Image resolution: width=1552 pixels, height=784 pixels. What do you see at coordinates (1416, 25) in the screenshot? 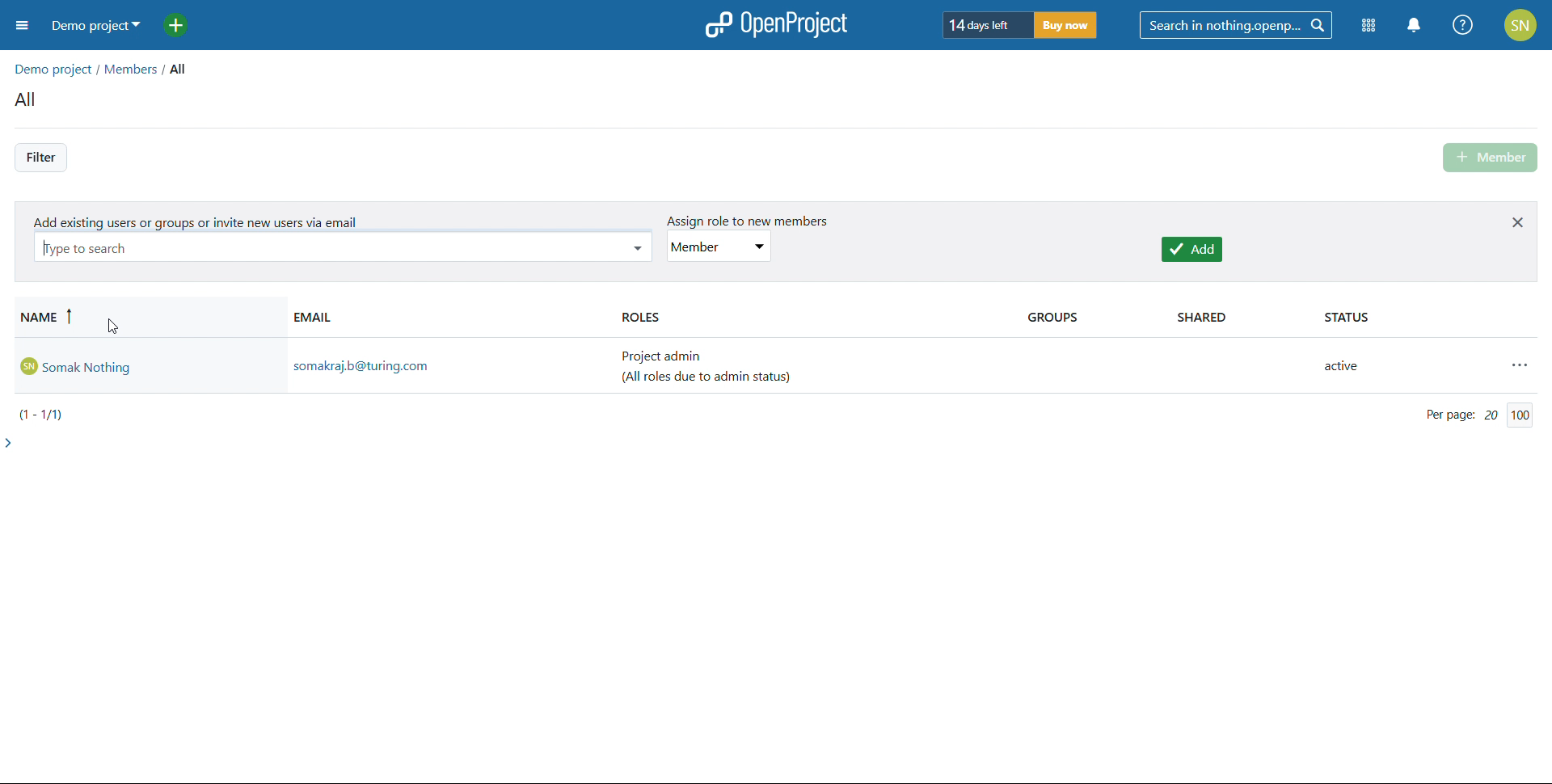
I see `notification` at bounding box center [1416, 25].